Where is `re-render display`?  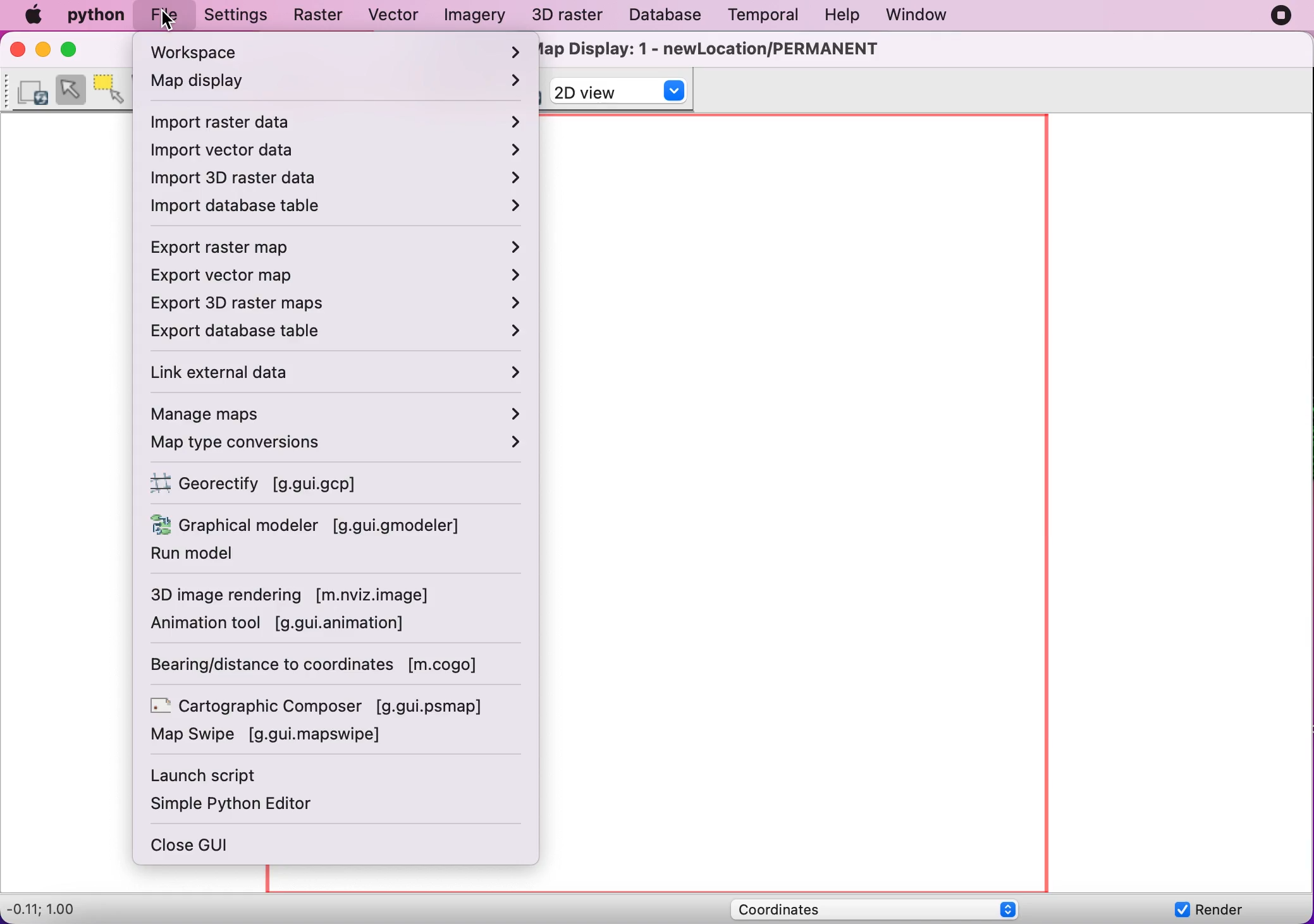
re-render display is located at coordinates (33, 90).